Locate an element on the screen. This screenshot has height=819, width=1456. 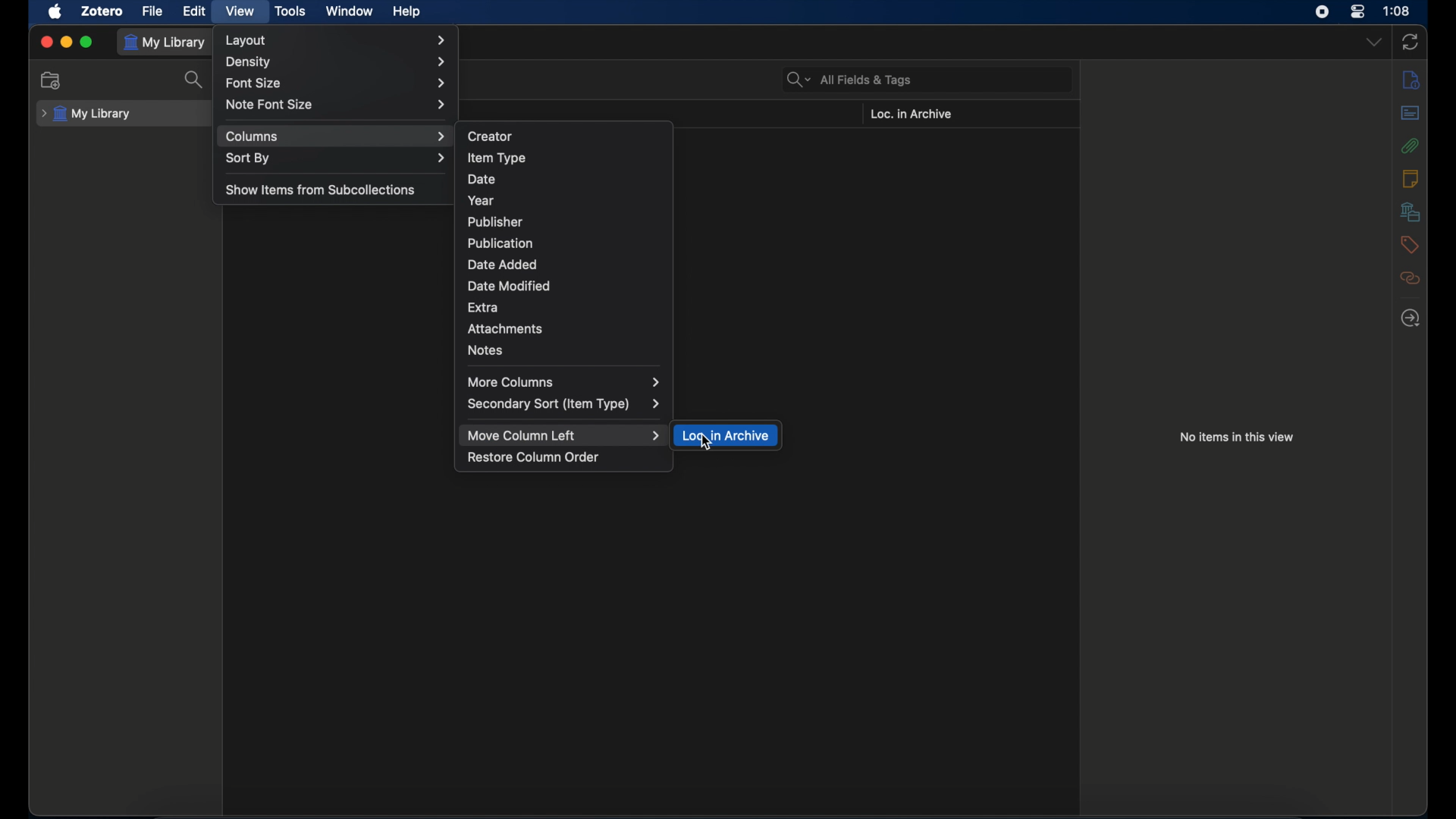
date modified is located at coordinates (510, 286).